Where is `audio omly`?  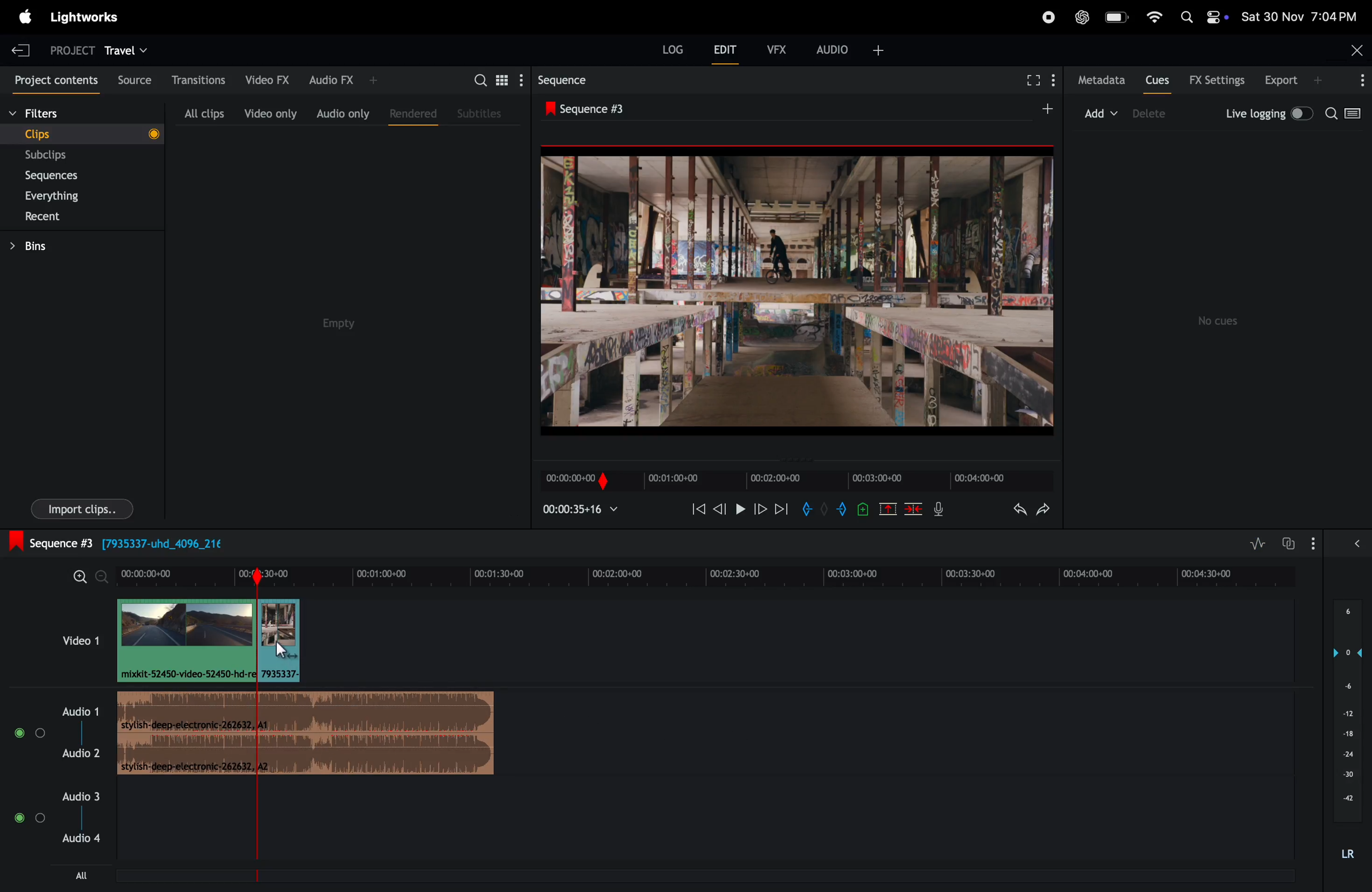
audio omly is located at coordinates (342, 111).